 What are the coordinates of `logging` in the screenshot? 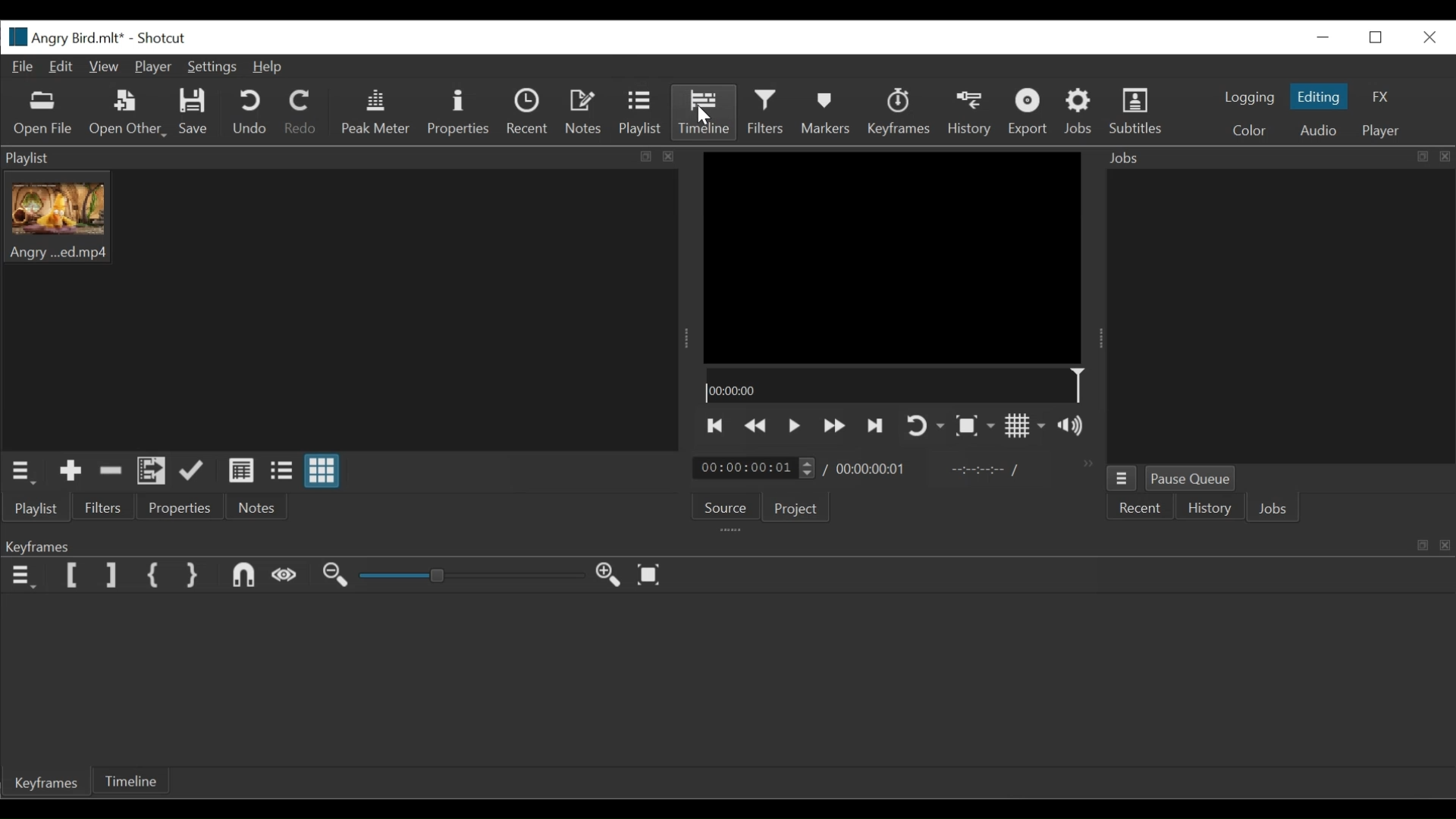 It's located at (1247, 99).